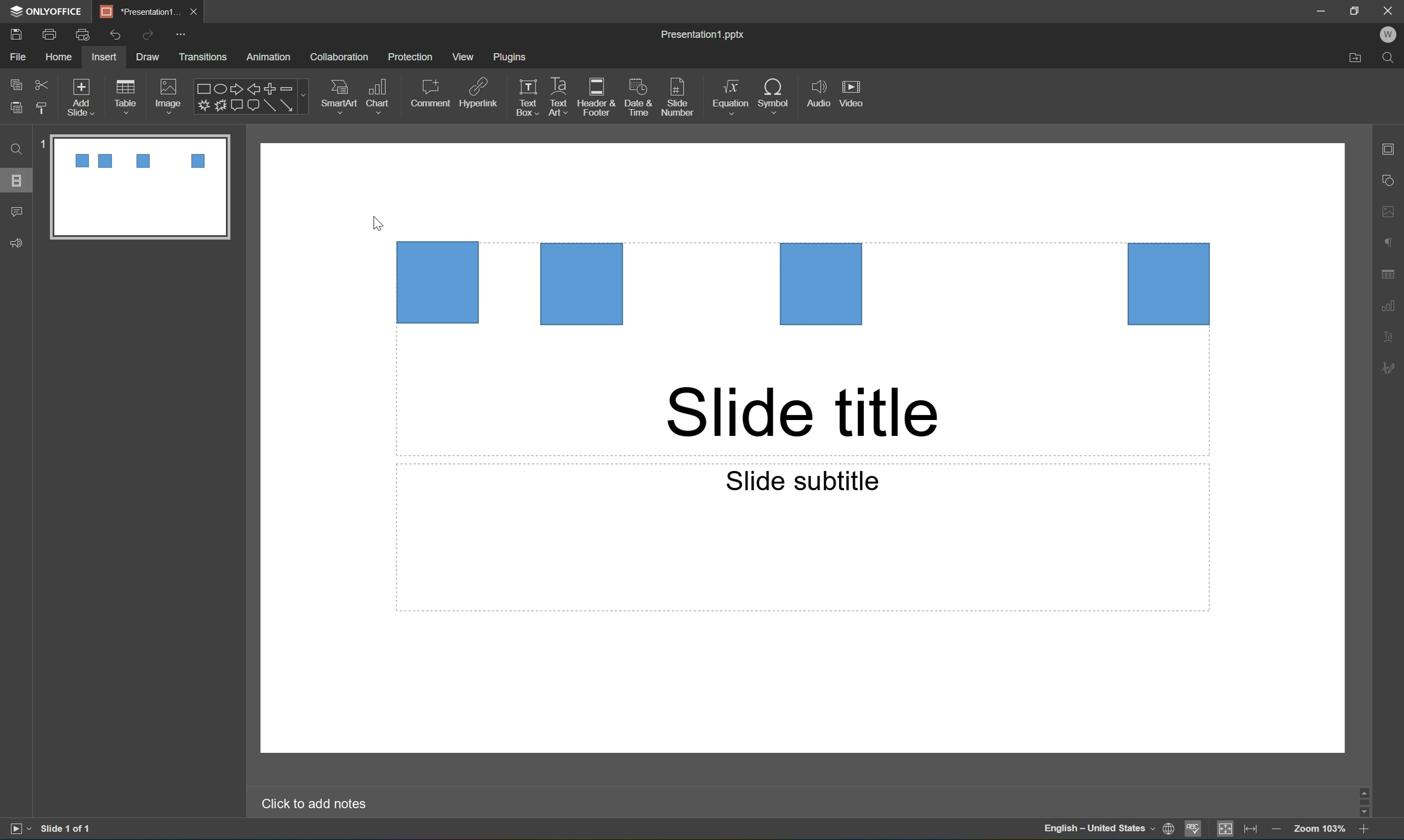 Image resolution: width=1404 pixels, height=840 pixels. I want to click on animation, so click(273, 57).